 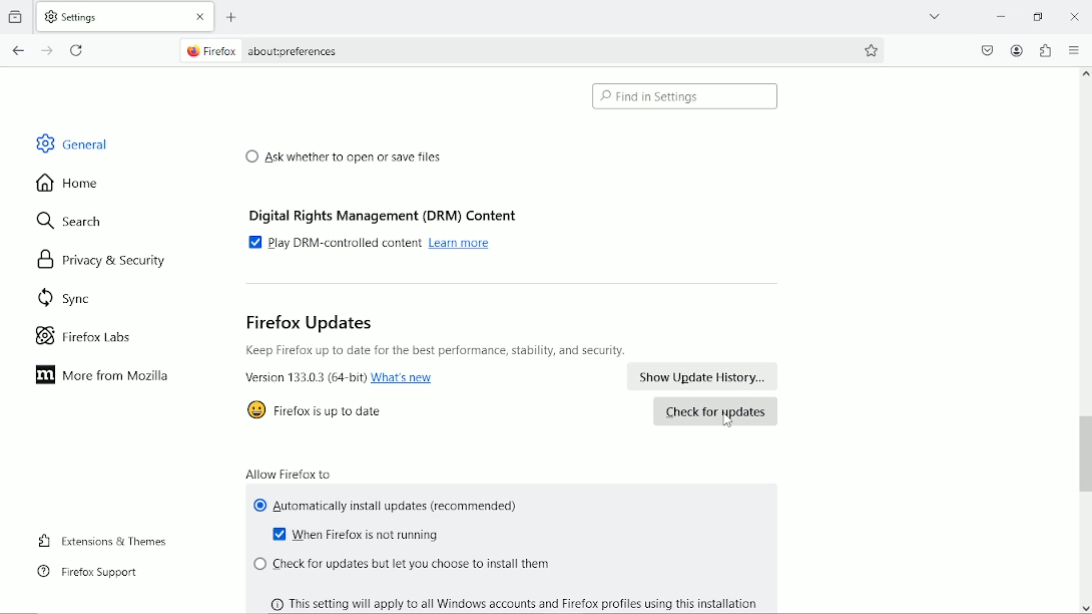 What do you see at coordinates (84, 336) in the screenshot?
I see `firefox labs` at bounding box center [84, 336].